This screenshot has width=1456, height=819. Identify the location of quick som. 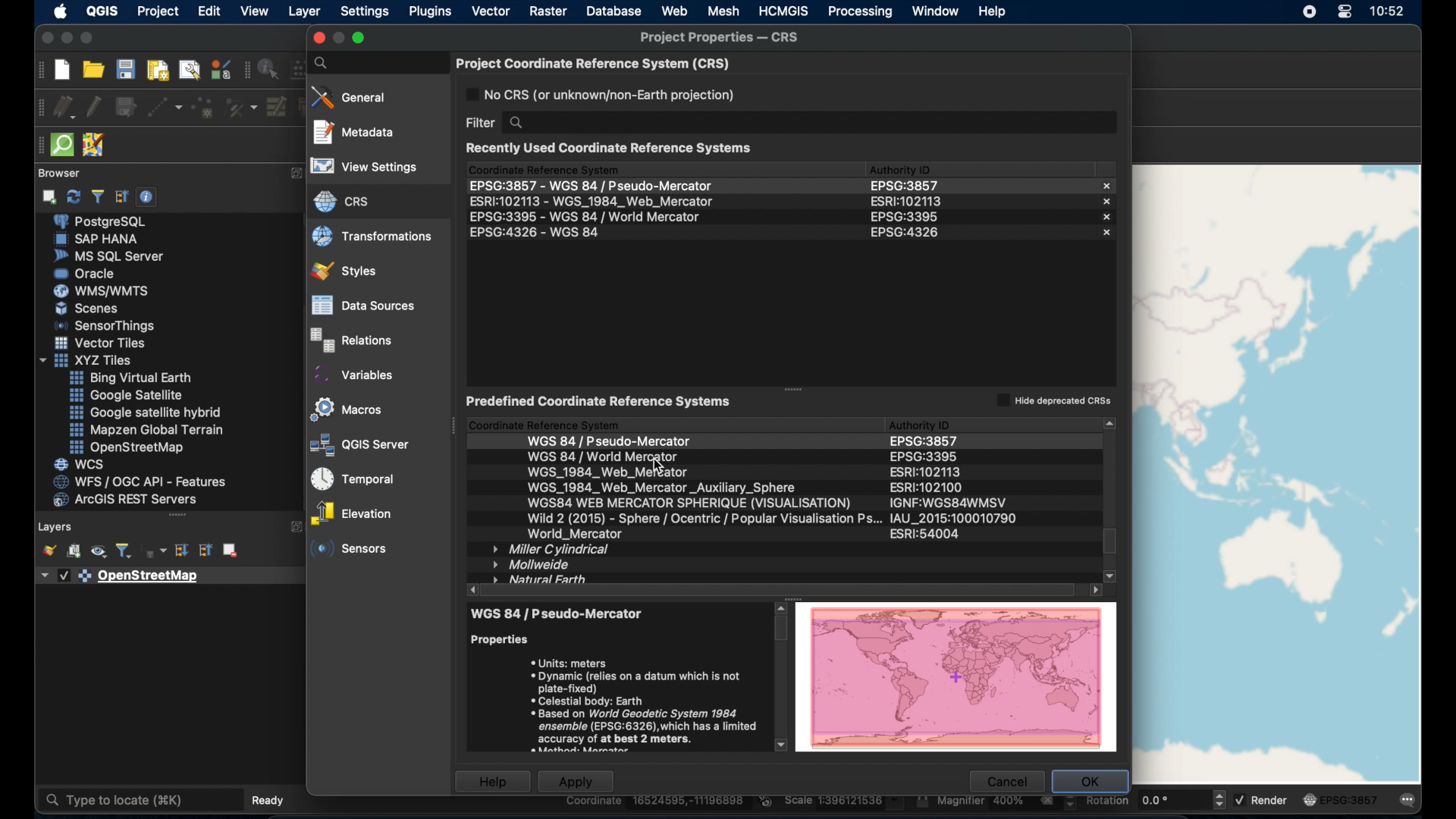
(63, 146).